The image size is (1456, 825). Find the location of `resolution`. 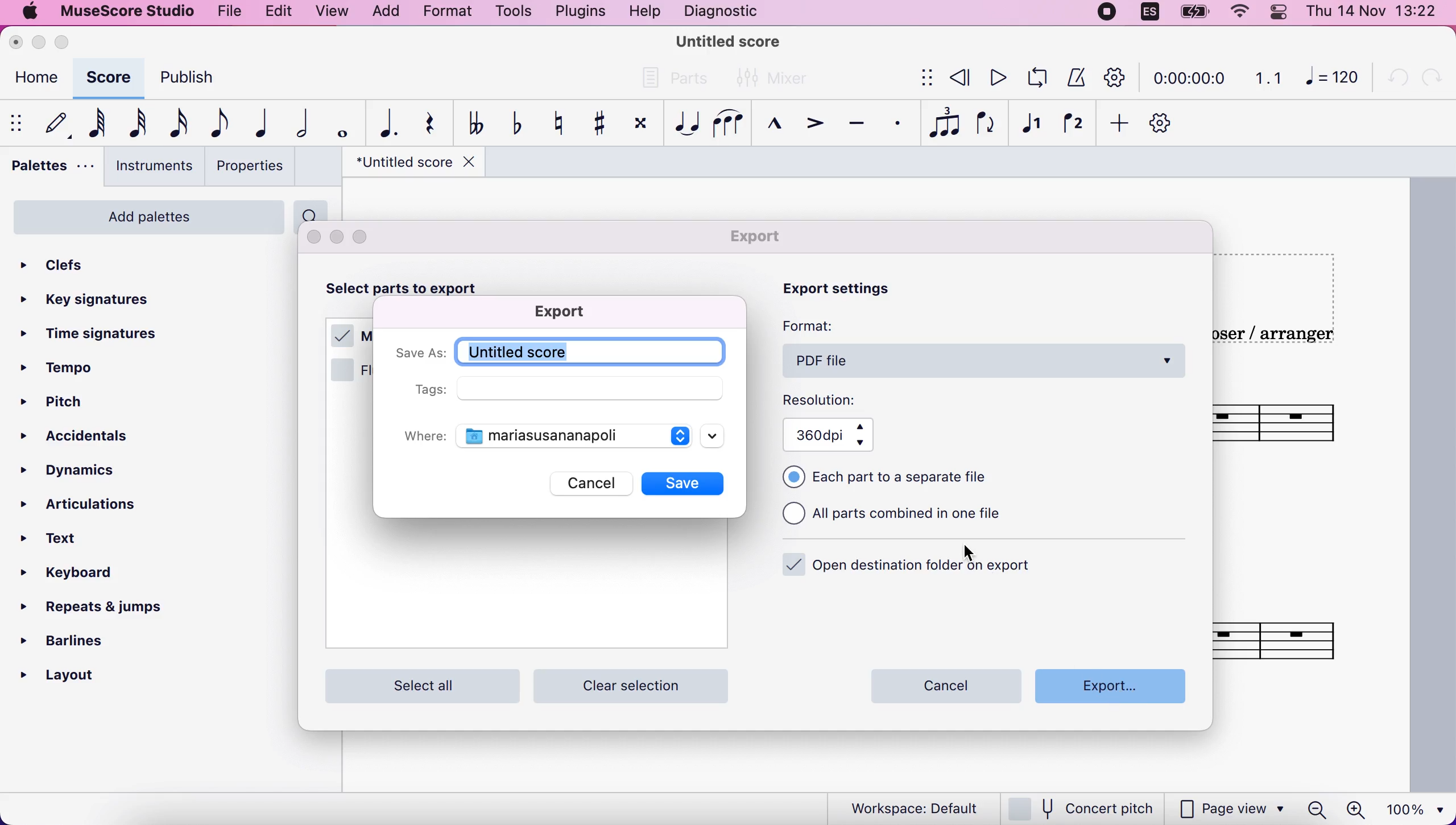

resolution is located at coordinates (828, 400).